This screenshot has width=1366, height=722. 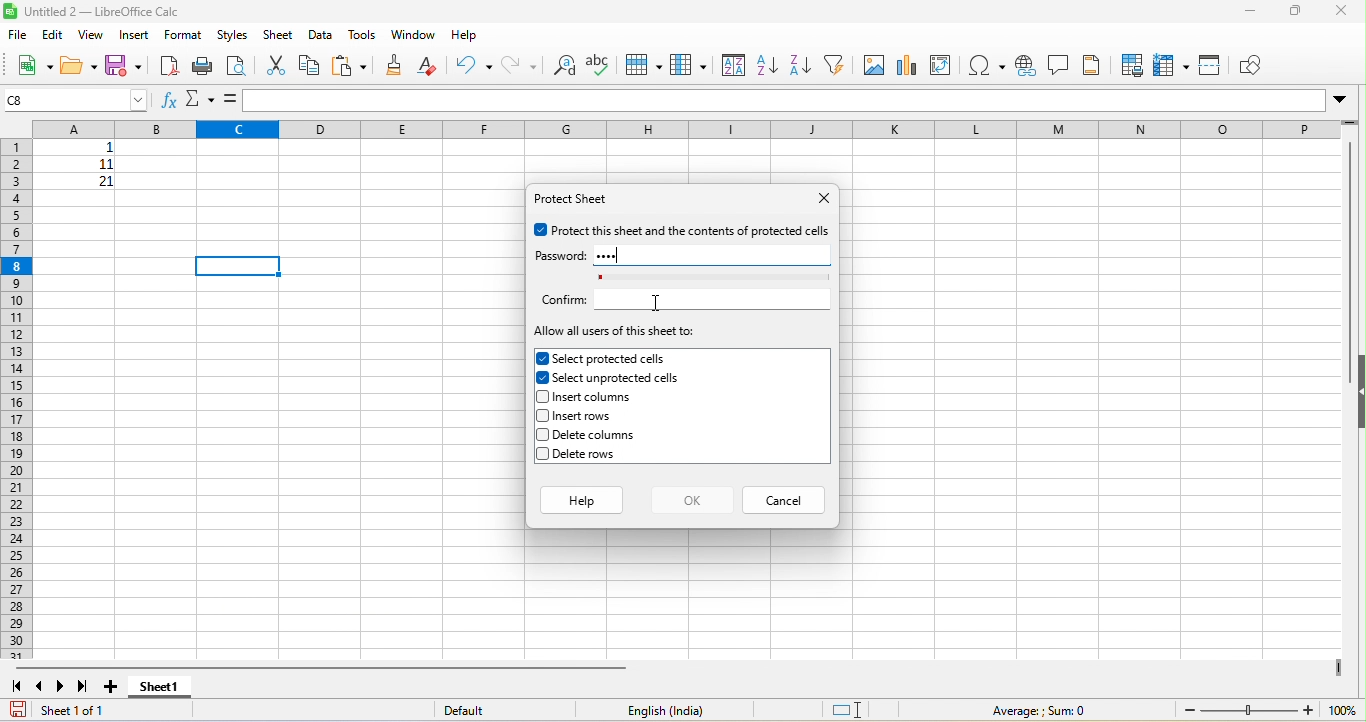 I want to click on header and footer, so click(x=1095, y=65).